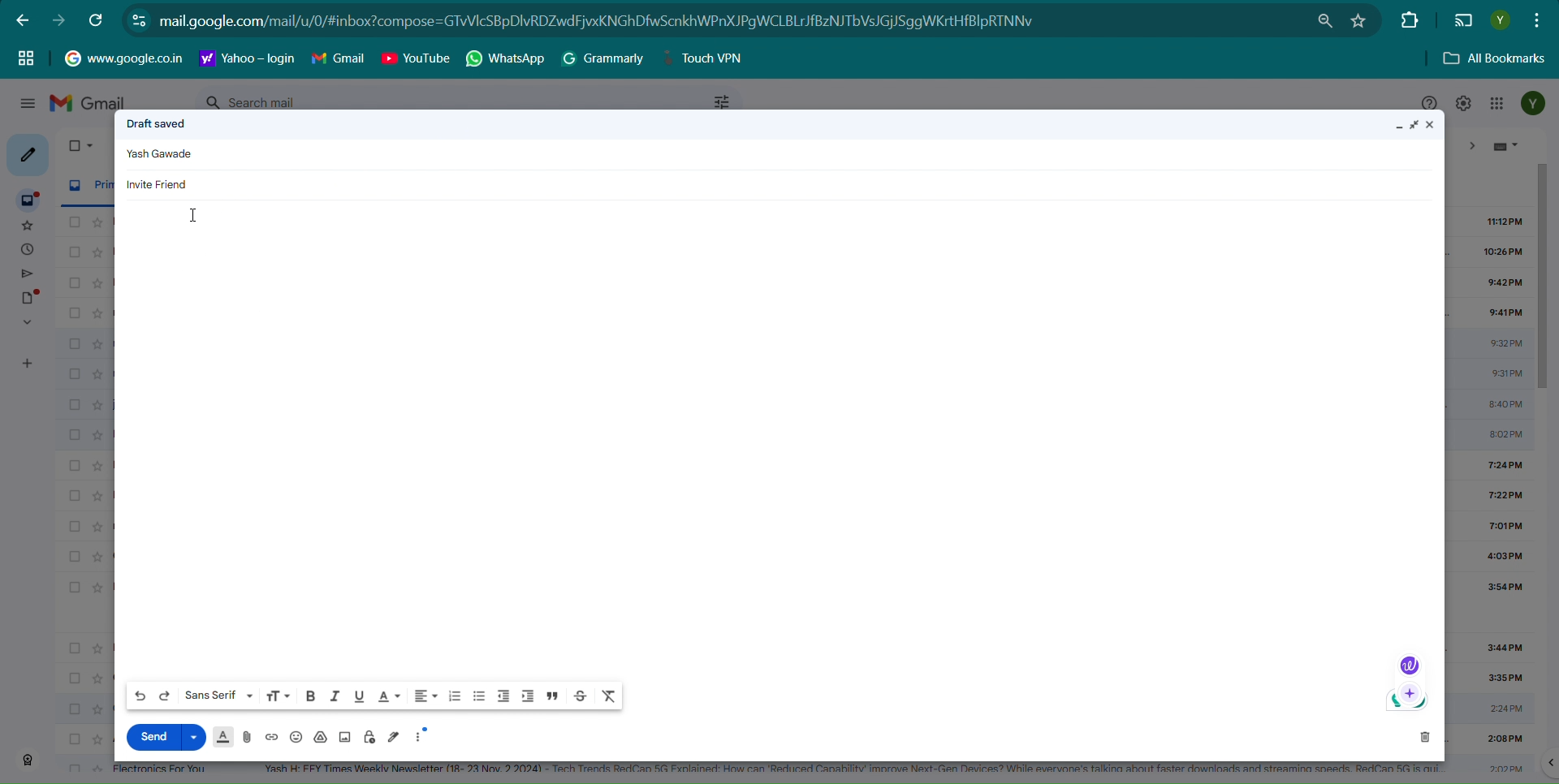 The width and height of the screenshot is (1559, 784). Describe the element at coordinates (1416, 125) in the screenshot. I see `Maximize` at that location.